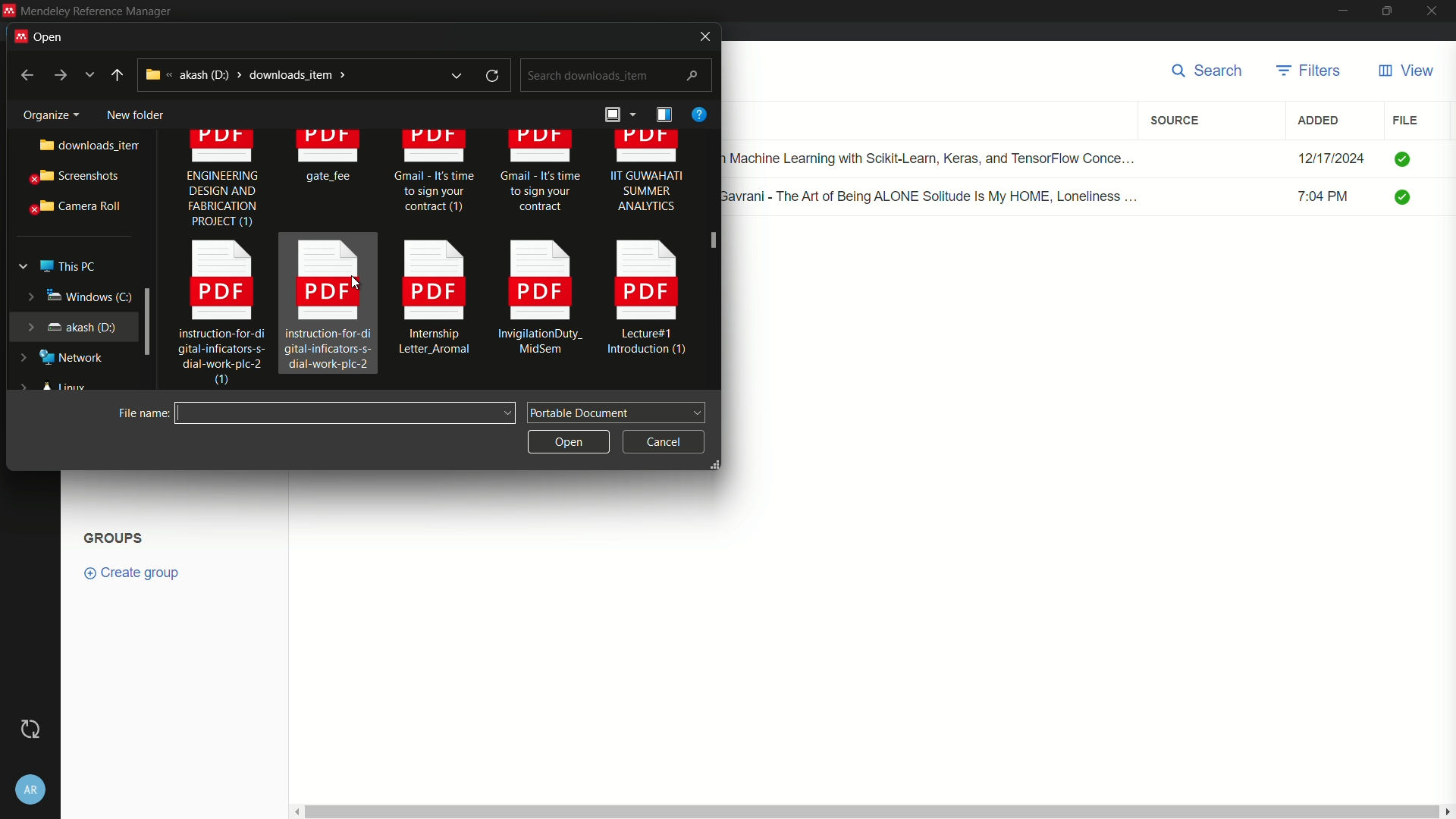 This screenshot has width=1456, height=819. I want to click on arrange, so click(617, 117).